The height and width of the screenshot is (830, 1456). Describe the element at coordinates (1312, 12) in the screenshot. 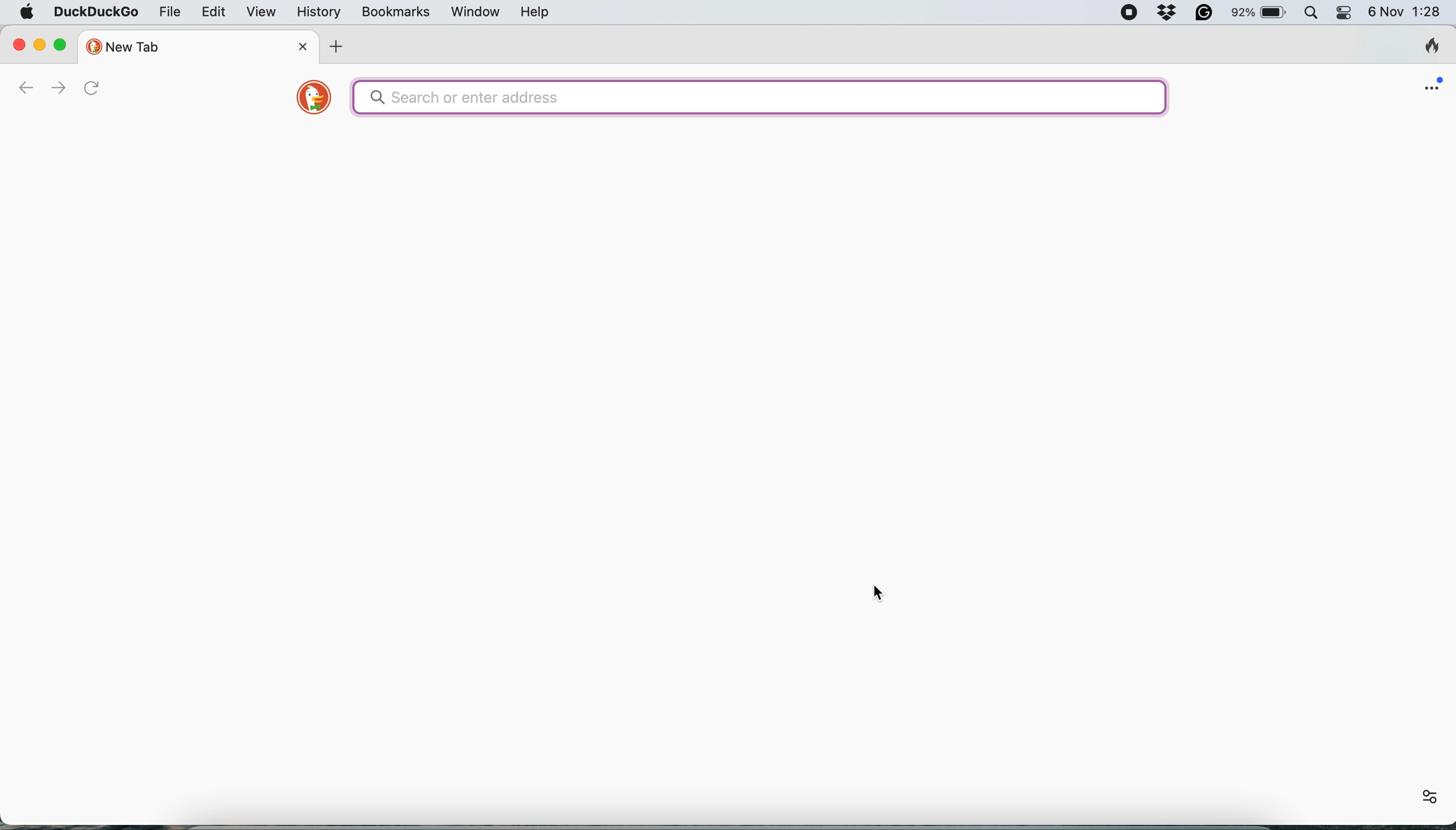

I see `spotlight search` at that location.